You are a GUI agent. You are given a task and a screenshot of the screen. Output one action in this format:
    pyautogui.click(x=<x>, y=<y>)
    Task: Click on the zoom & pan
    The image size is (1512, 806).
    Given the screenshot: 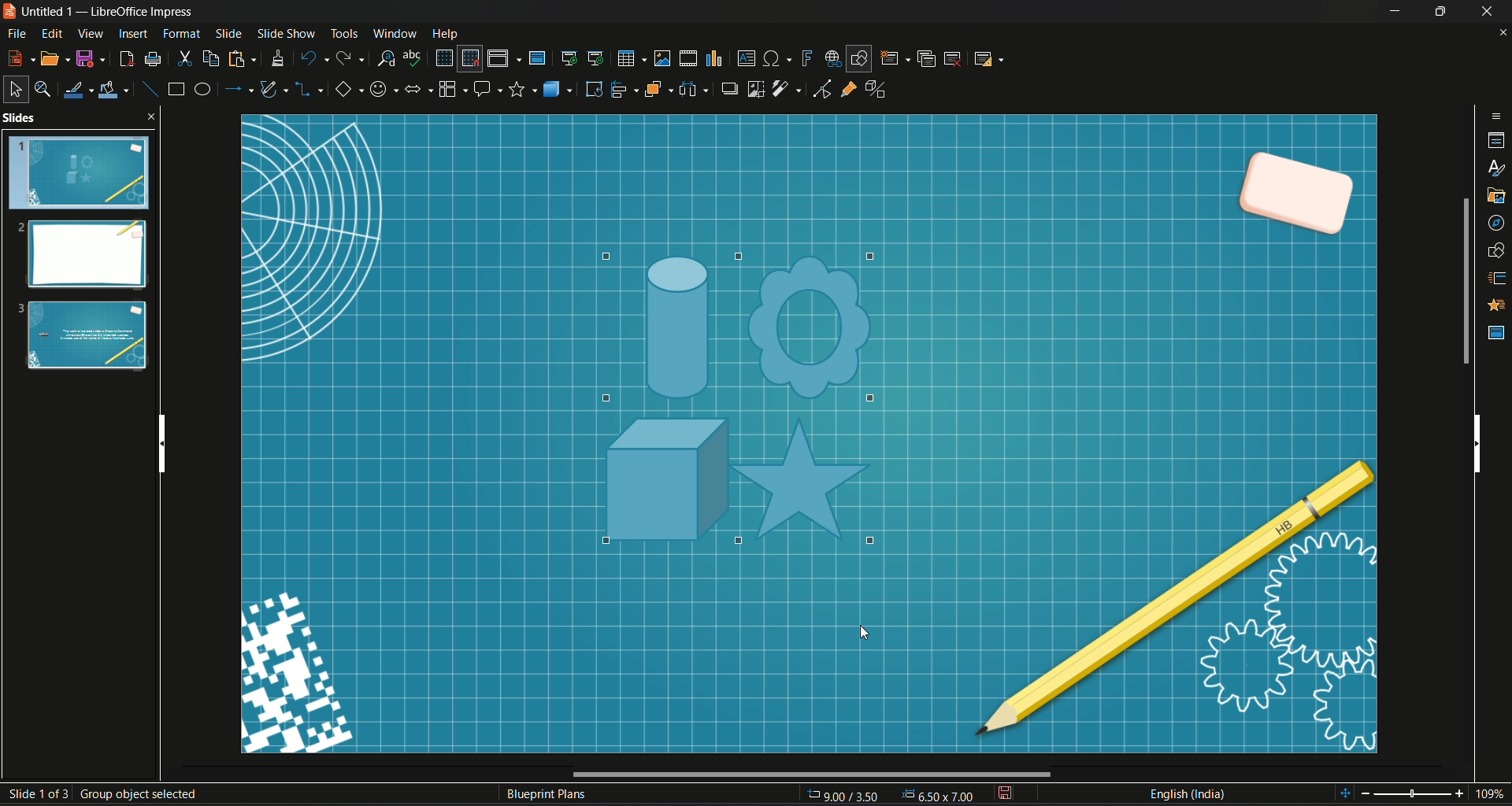 What is the action you would take?
    pyautogui.click(x=42, y=87)
    